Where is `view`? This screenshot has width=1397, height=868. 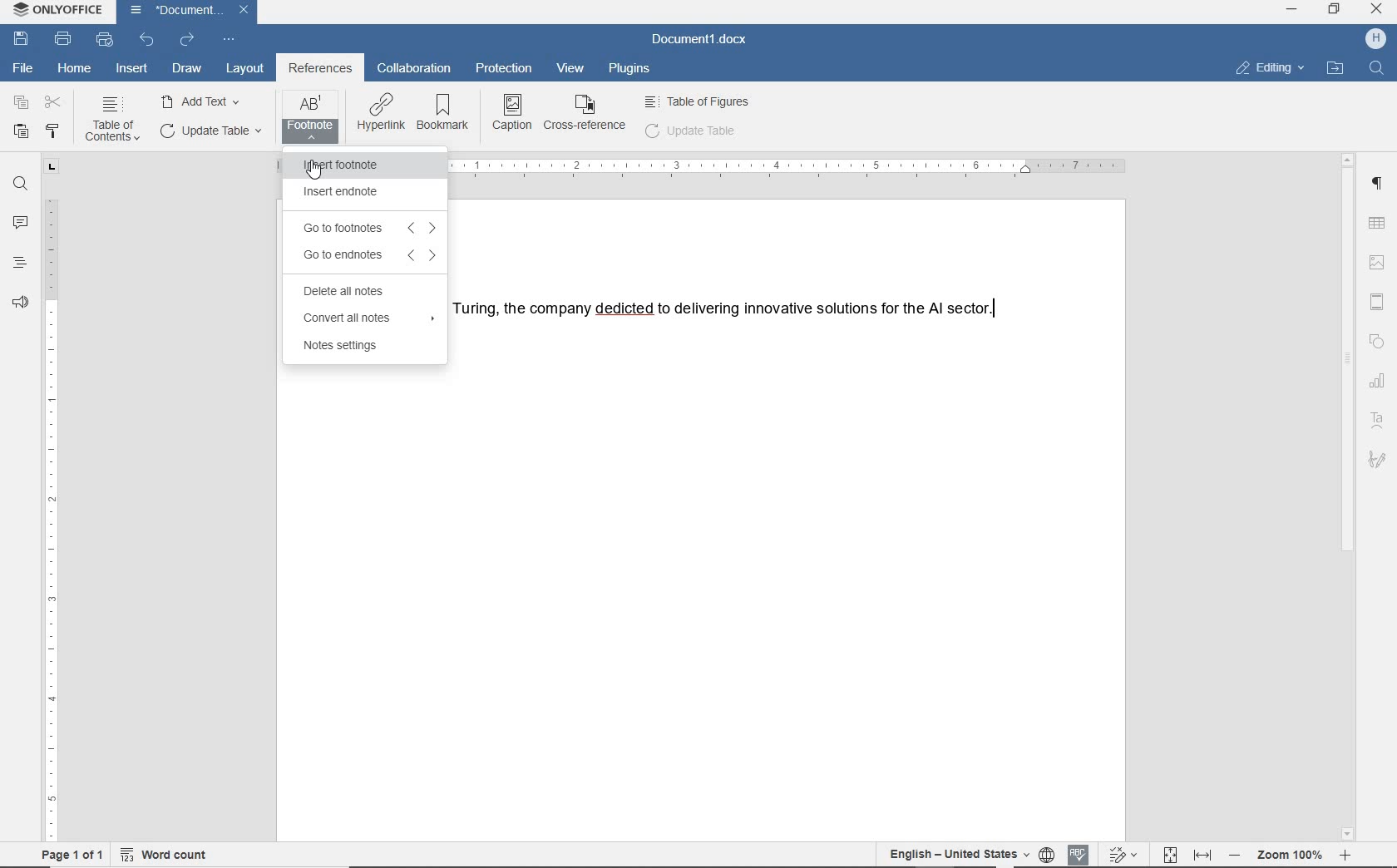 view is located at coordinates (573, 67).